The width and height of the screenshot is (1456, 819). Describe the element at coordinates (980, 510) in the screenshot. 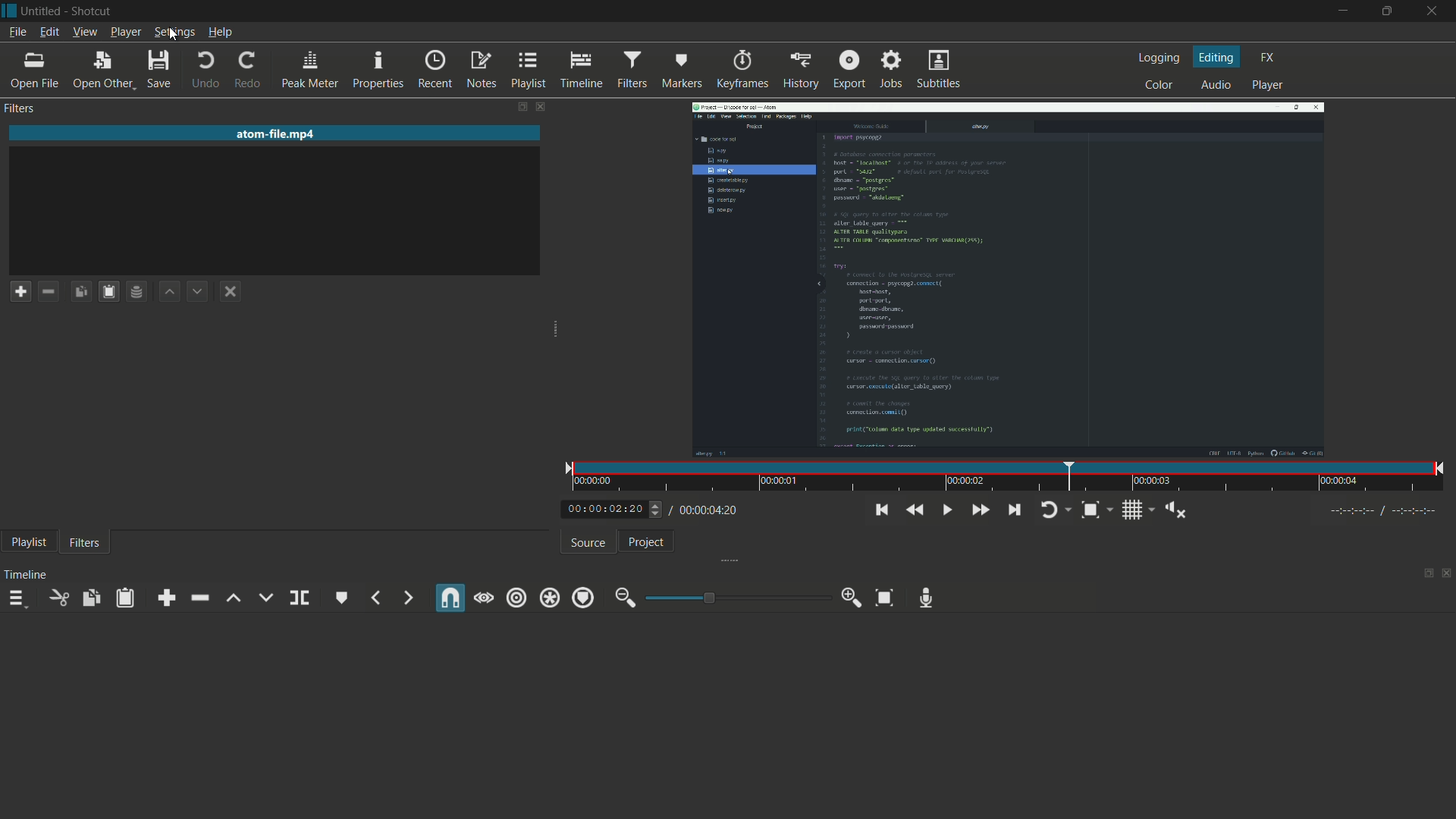

I see `quickly play forward` at that location.